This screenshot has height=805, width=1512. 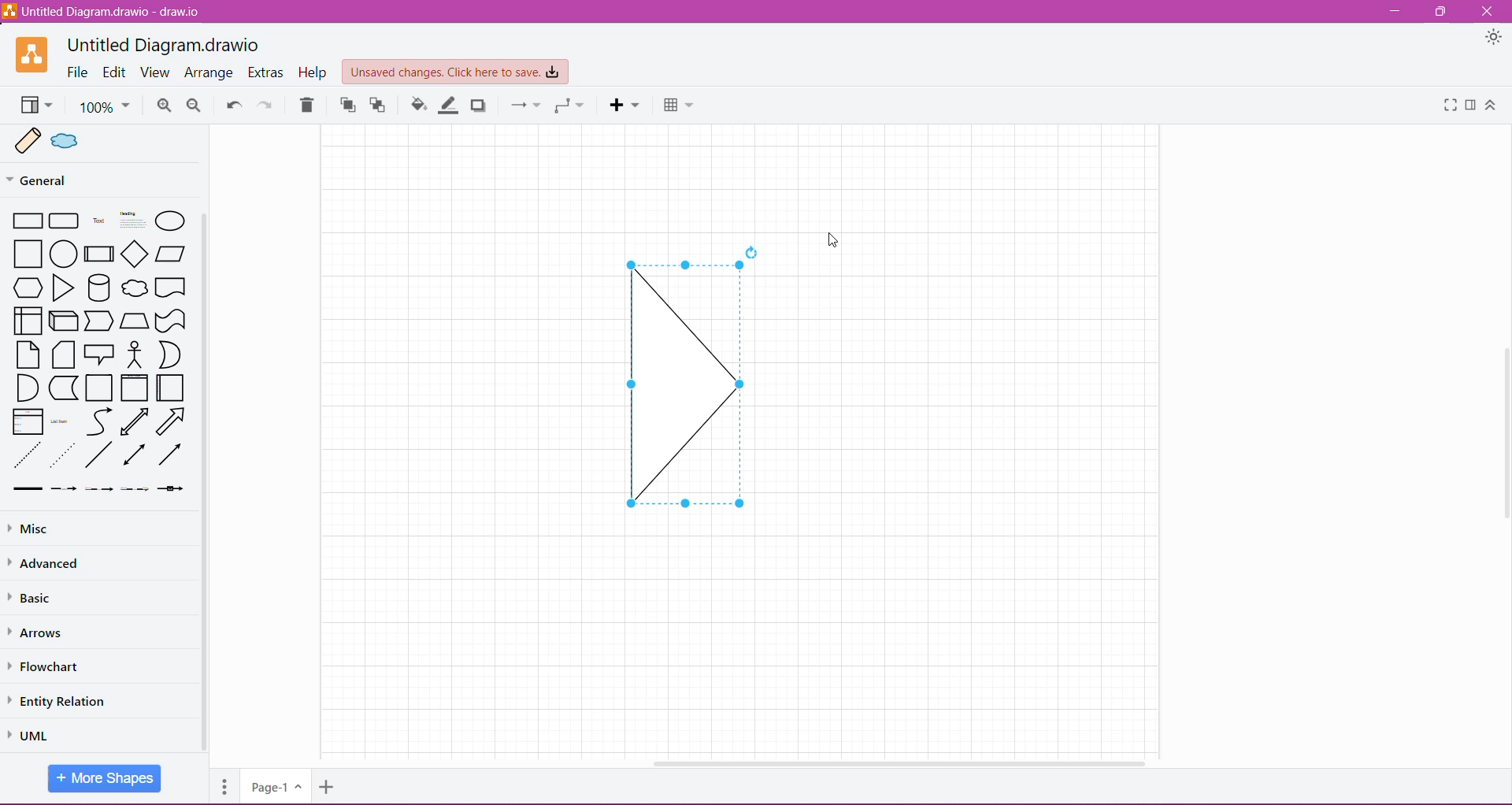 I want to click on Untitled Diagram.draw.io, so click(x=169, y=43).